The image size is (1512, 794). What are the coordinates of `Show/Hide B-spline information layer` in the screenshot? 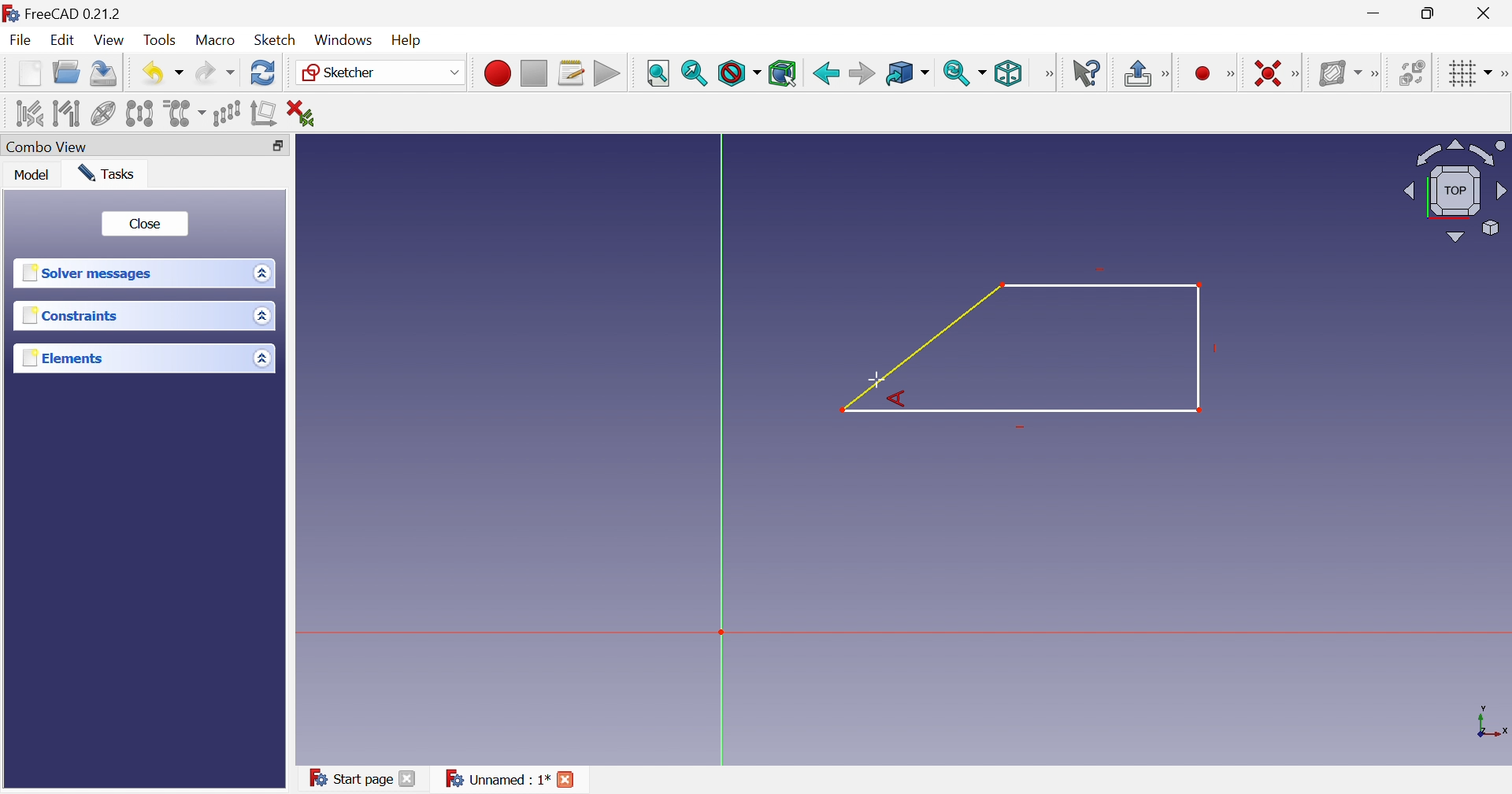 It's located at (1336, 72).